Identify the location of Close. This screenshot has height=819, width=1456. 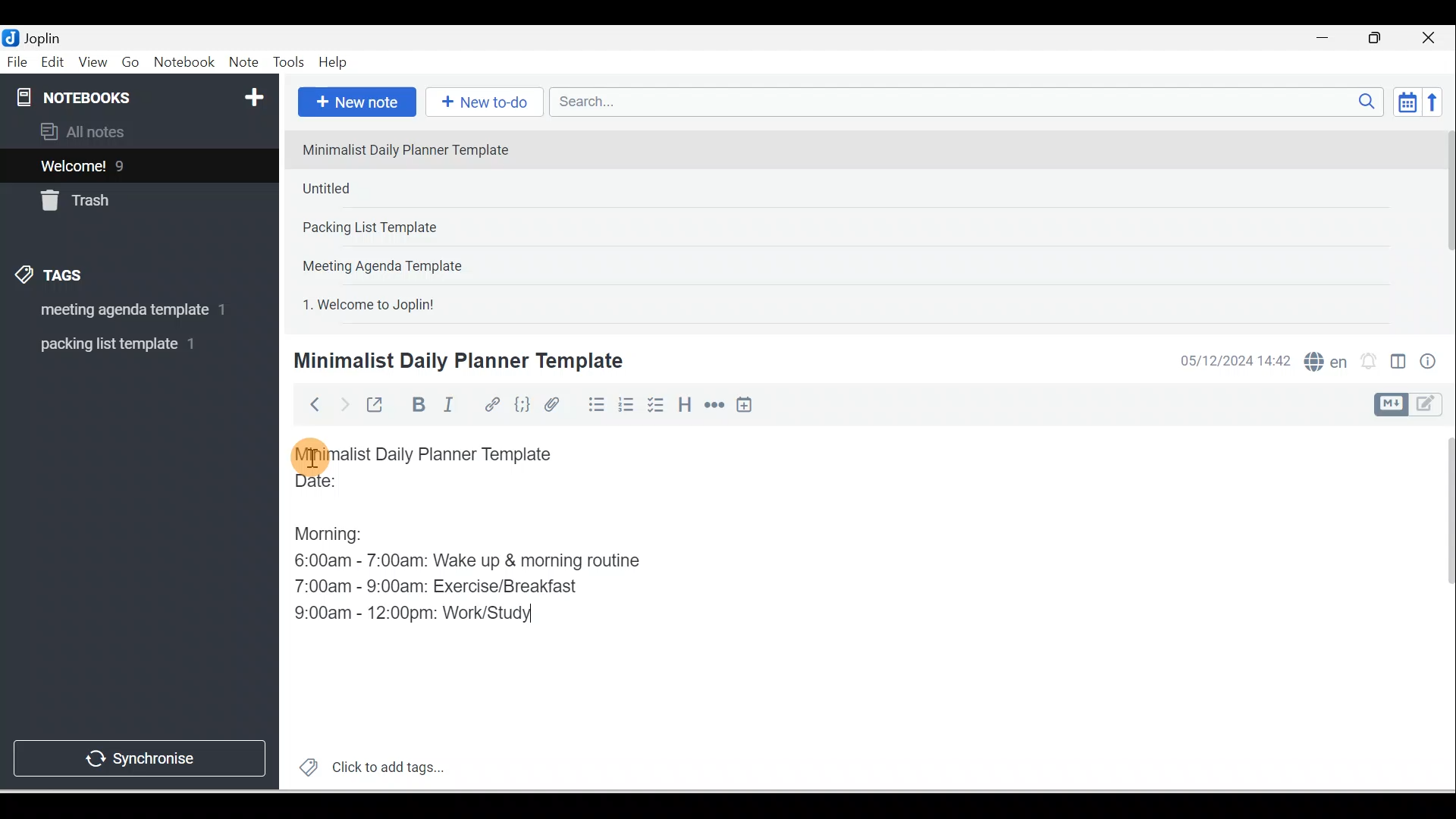
(1432, 38).